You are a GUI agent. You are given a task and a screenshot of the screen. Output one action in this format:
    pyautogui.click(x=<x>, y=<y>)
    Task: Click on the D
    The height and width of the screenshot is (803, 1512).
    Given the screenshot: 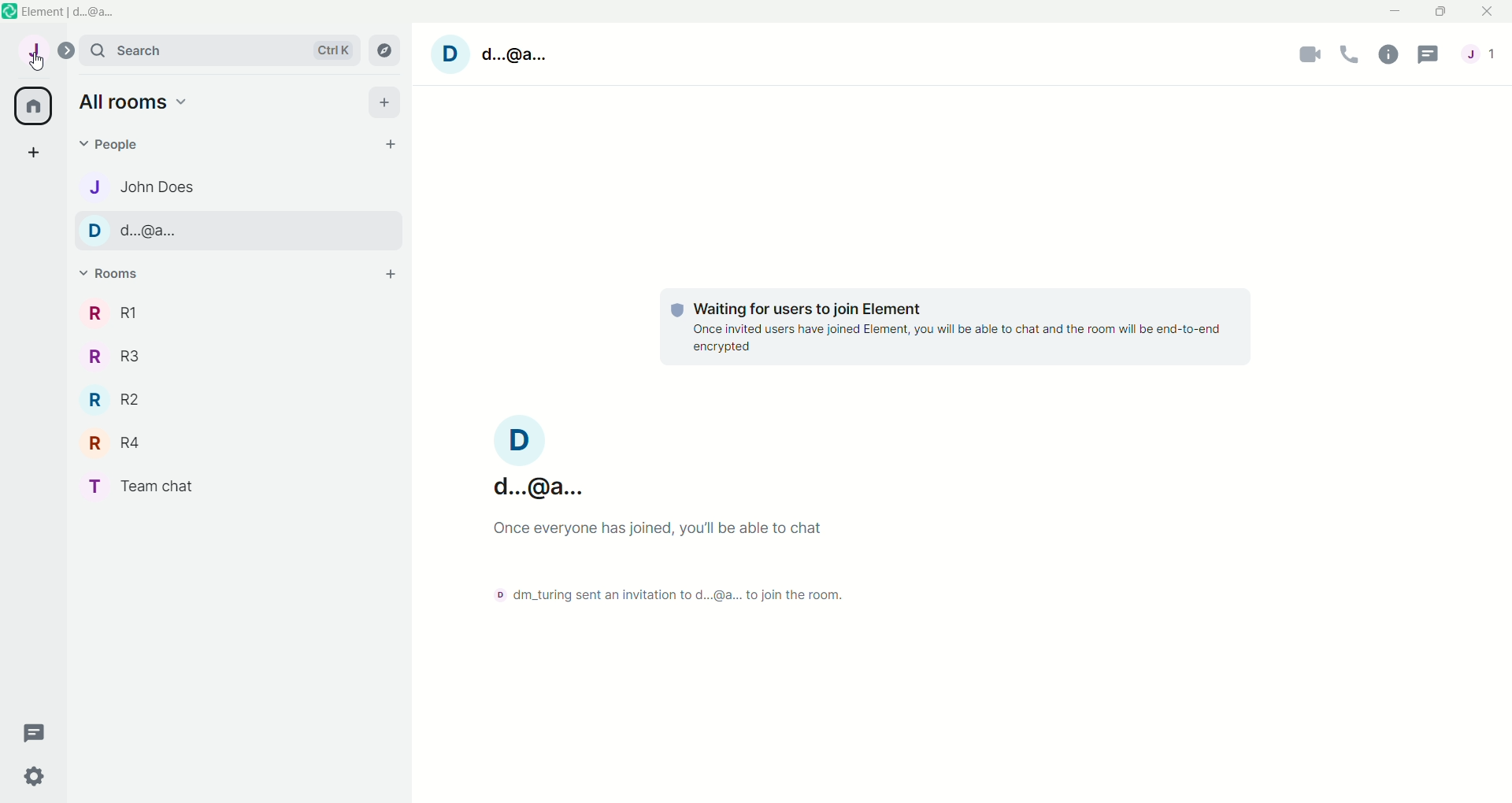 What is the action you would take?
    pyautogui.click(x=520, y=439)
    